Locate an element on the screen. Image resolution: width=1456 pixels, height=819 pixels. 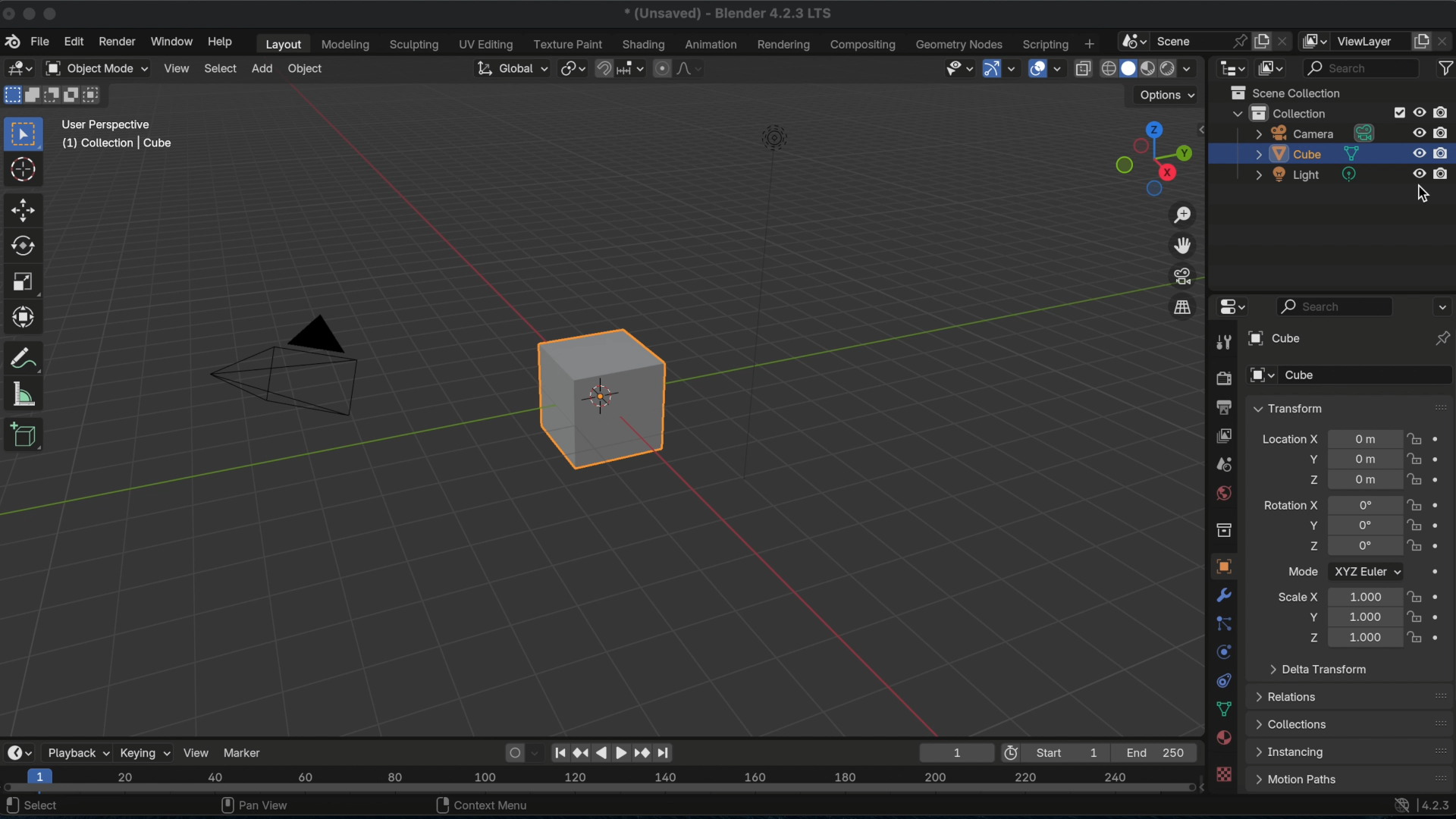
lock rotation is located at coordinates (1414, 524).